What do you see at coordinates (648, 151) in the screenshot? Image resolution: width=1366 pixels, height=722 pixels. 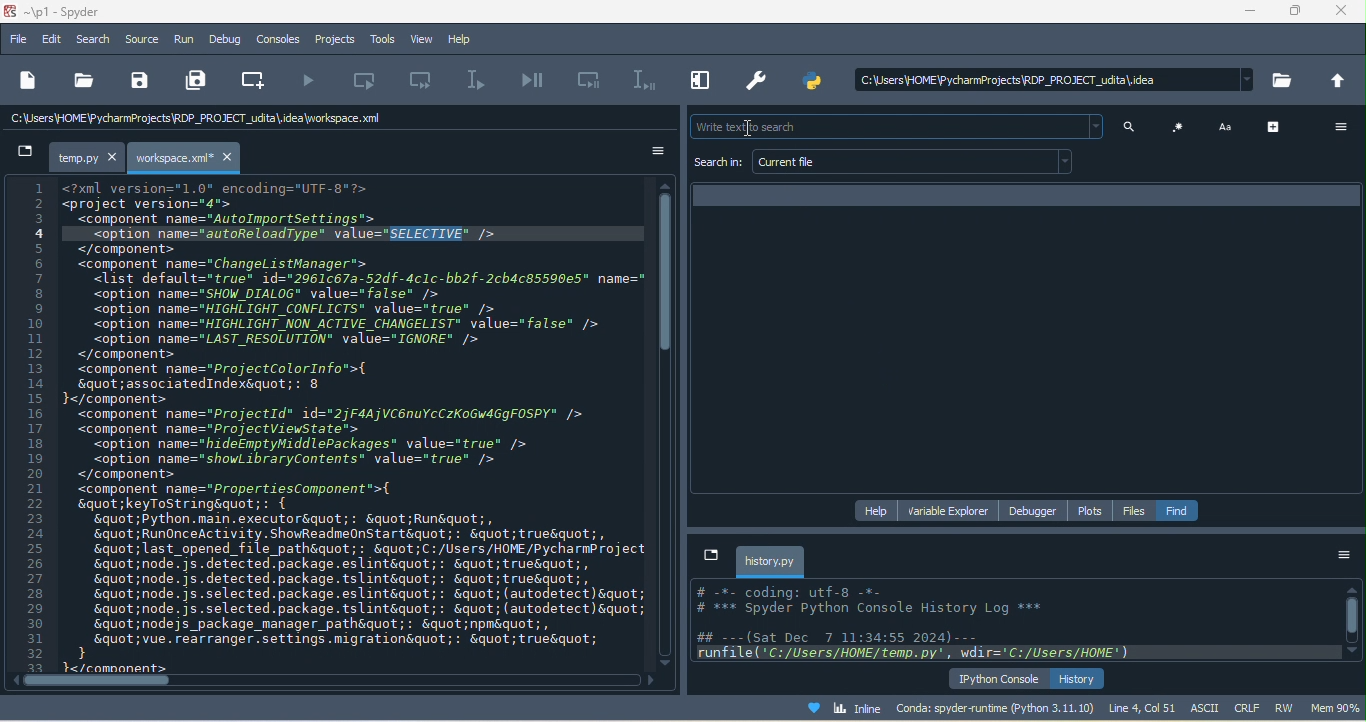 I see `option` at bounding box center [648, 151].